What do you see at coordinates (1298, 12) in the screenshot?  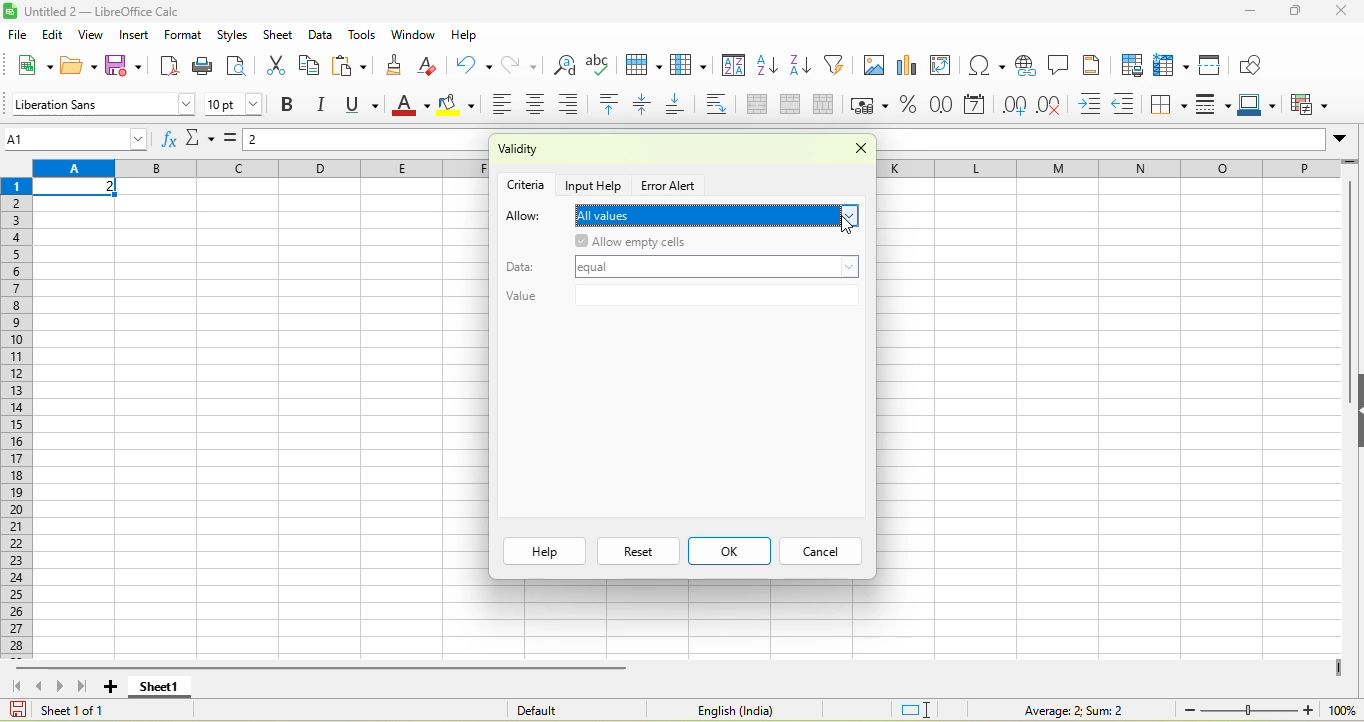 I see `maximize` at bounding box center [1298, 12].